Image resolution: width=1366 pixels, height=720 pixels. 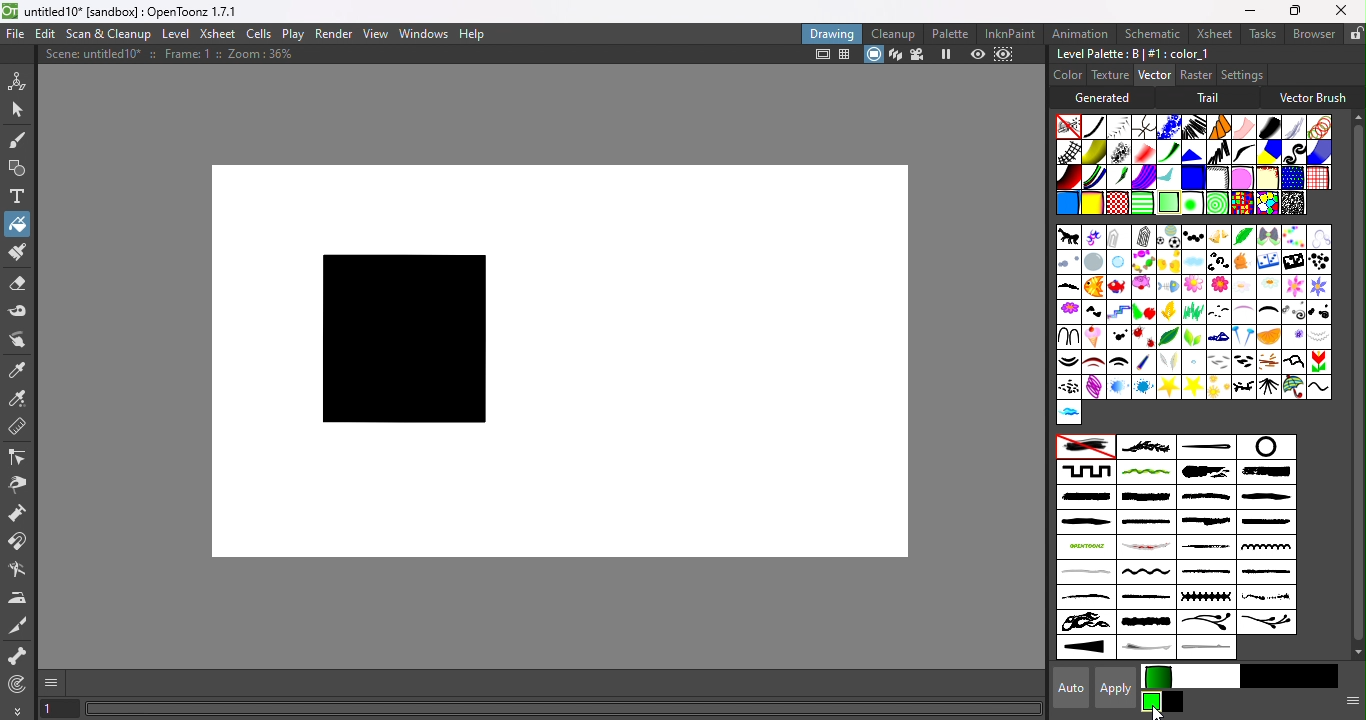 I want to click on Pinch tool, so click(x=21, y=484).